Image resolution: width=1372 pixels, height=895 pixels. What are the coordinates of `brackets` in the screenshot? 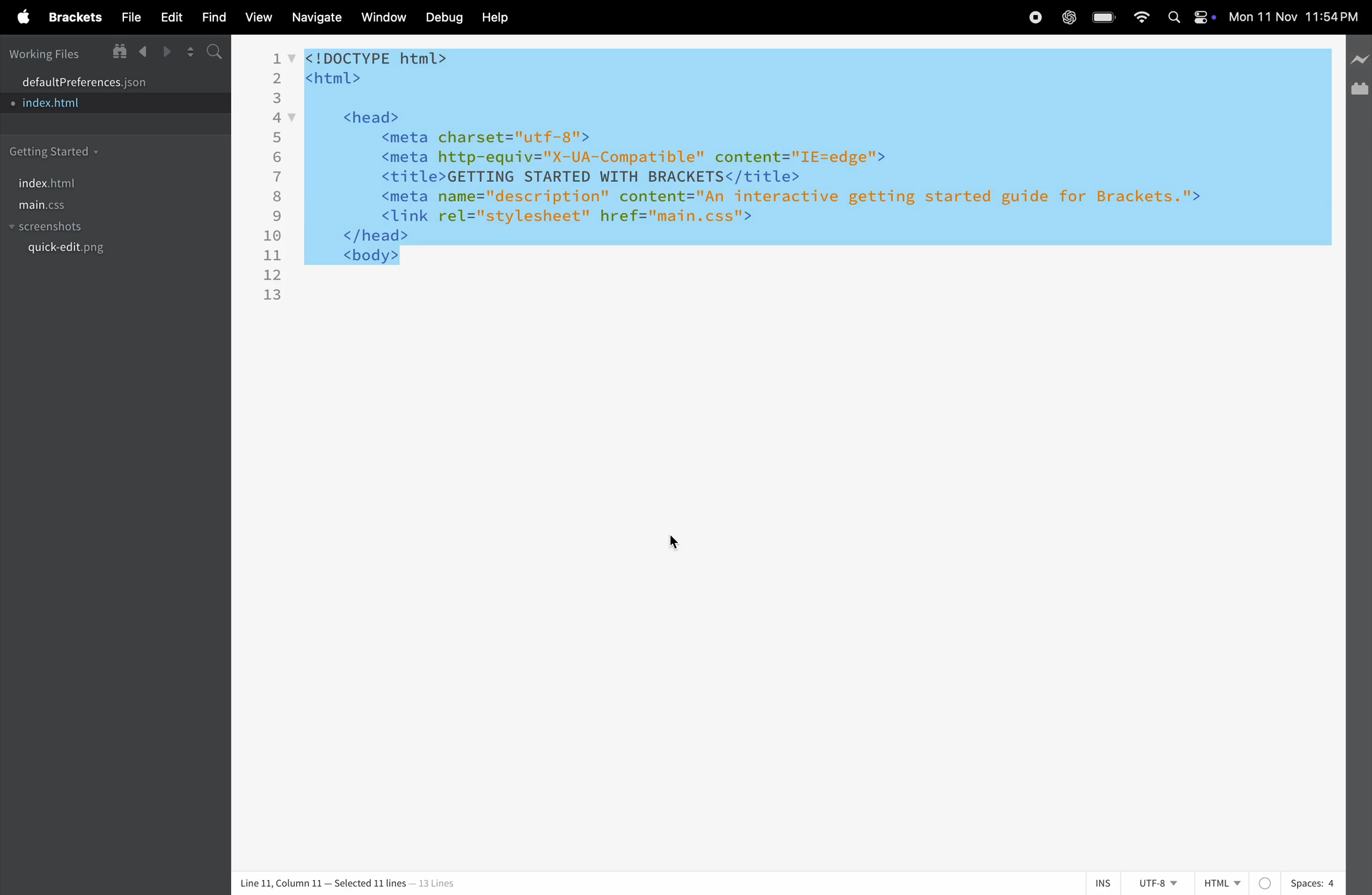 It's located at (72, 16).